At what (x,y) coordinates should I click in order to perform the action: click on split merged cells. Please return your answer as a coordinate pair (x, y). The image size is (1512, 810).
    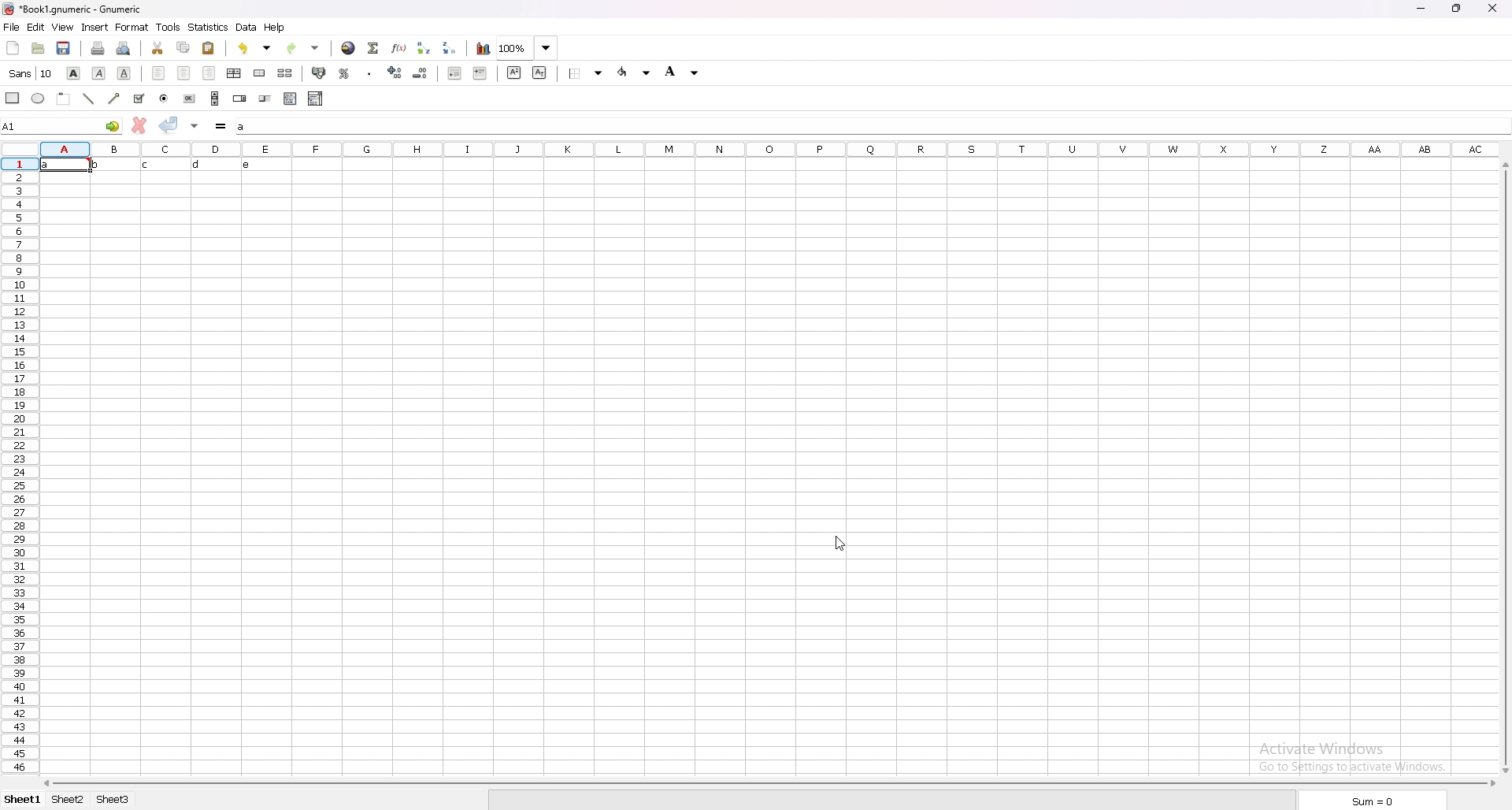
    Looking at the image, I should click on (285, 72).